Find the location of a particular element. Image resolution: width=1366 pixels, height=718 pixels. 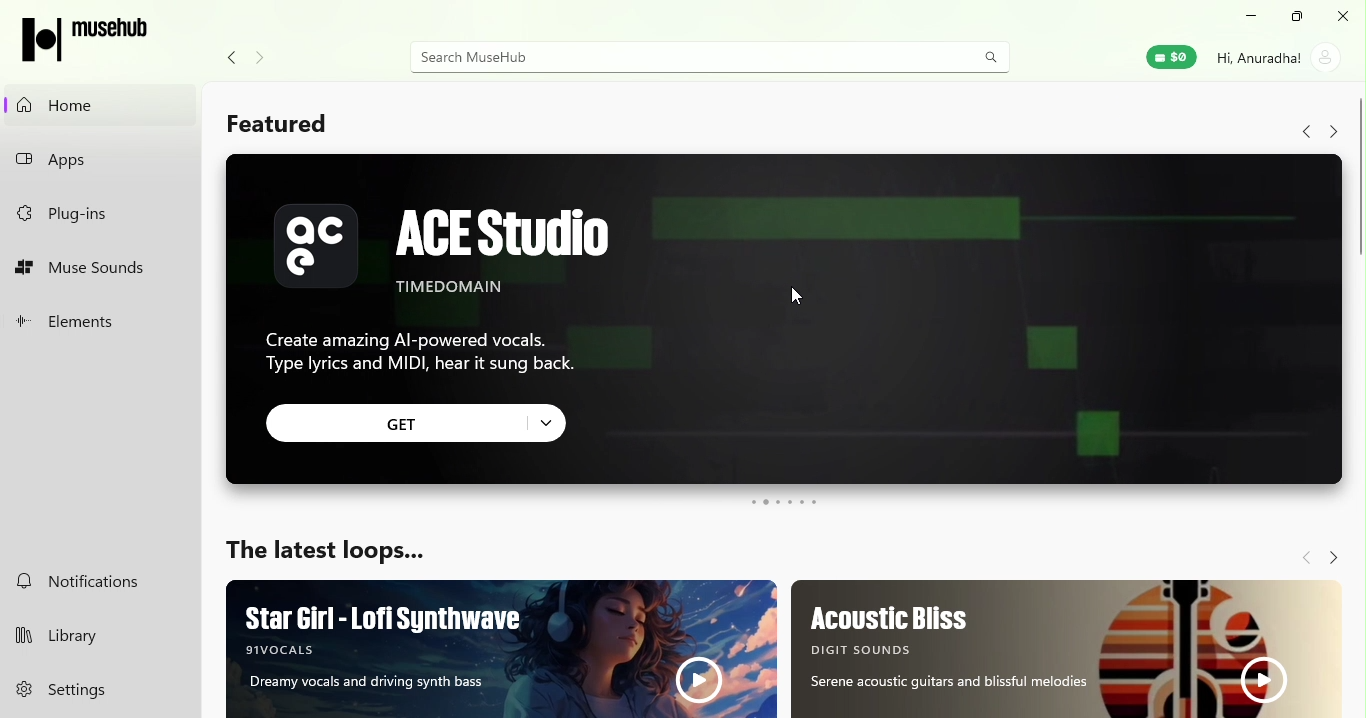

settings is located at coordinates (80, 691).